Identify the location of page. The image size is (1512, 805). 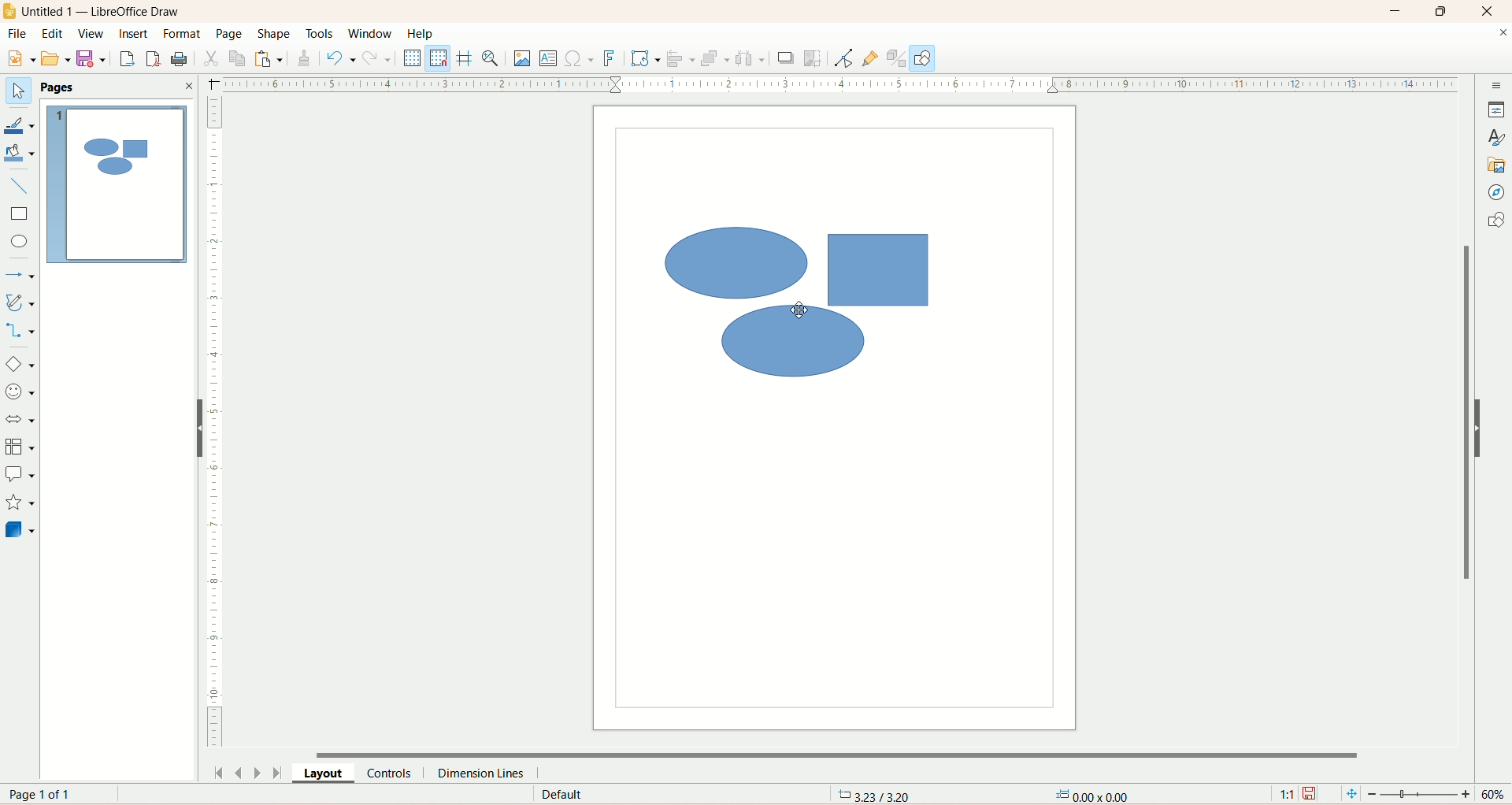
(230, 33).